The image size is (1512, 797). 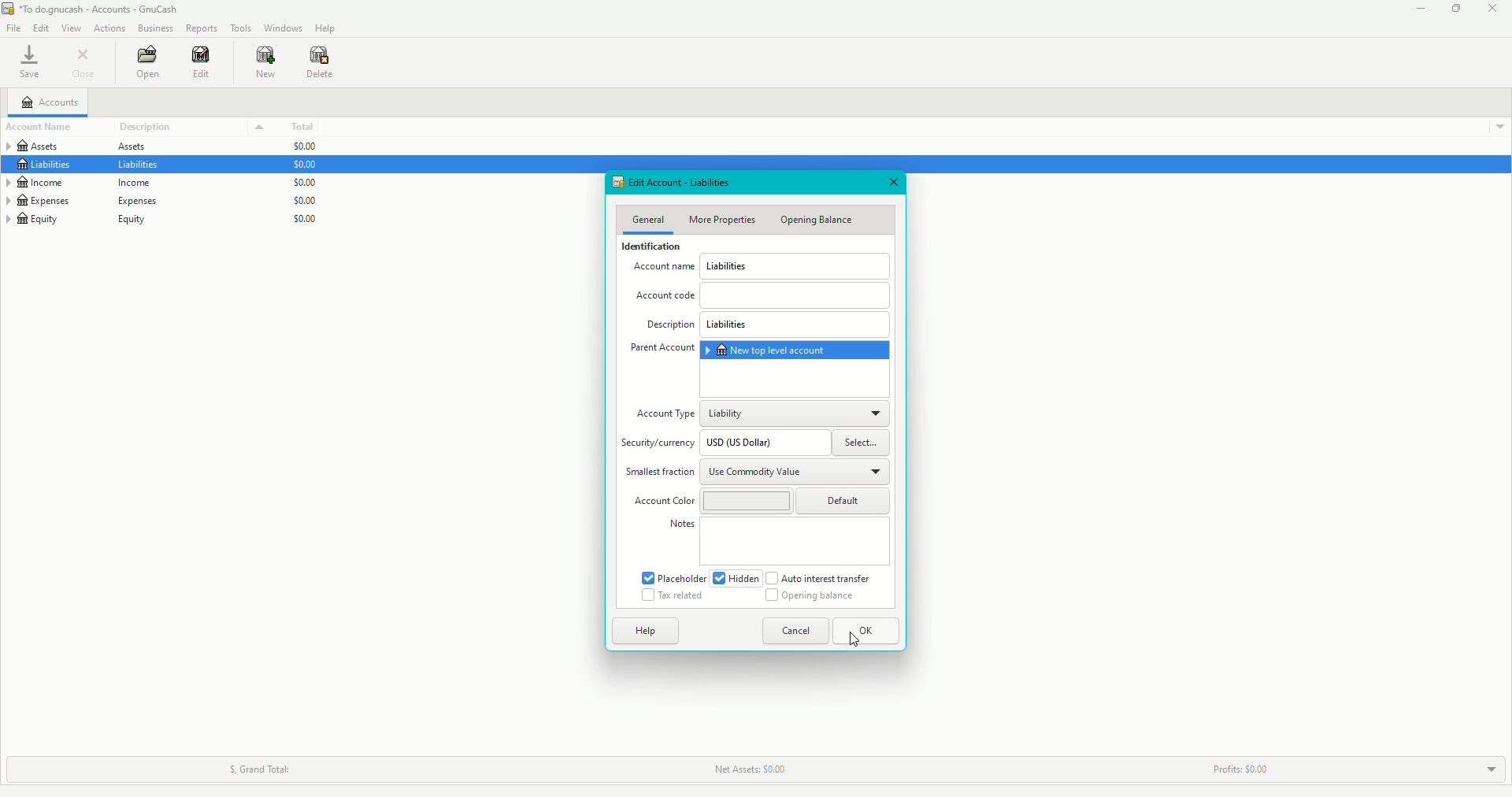 I want to click on Edit Account, so click(x=679, y=182).